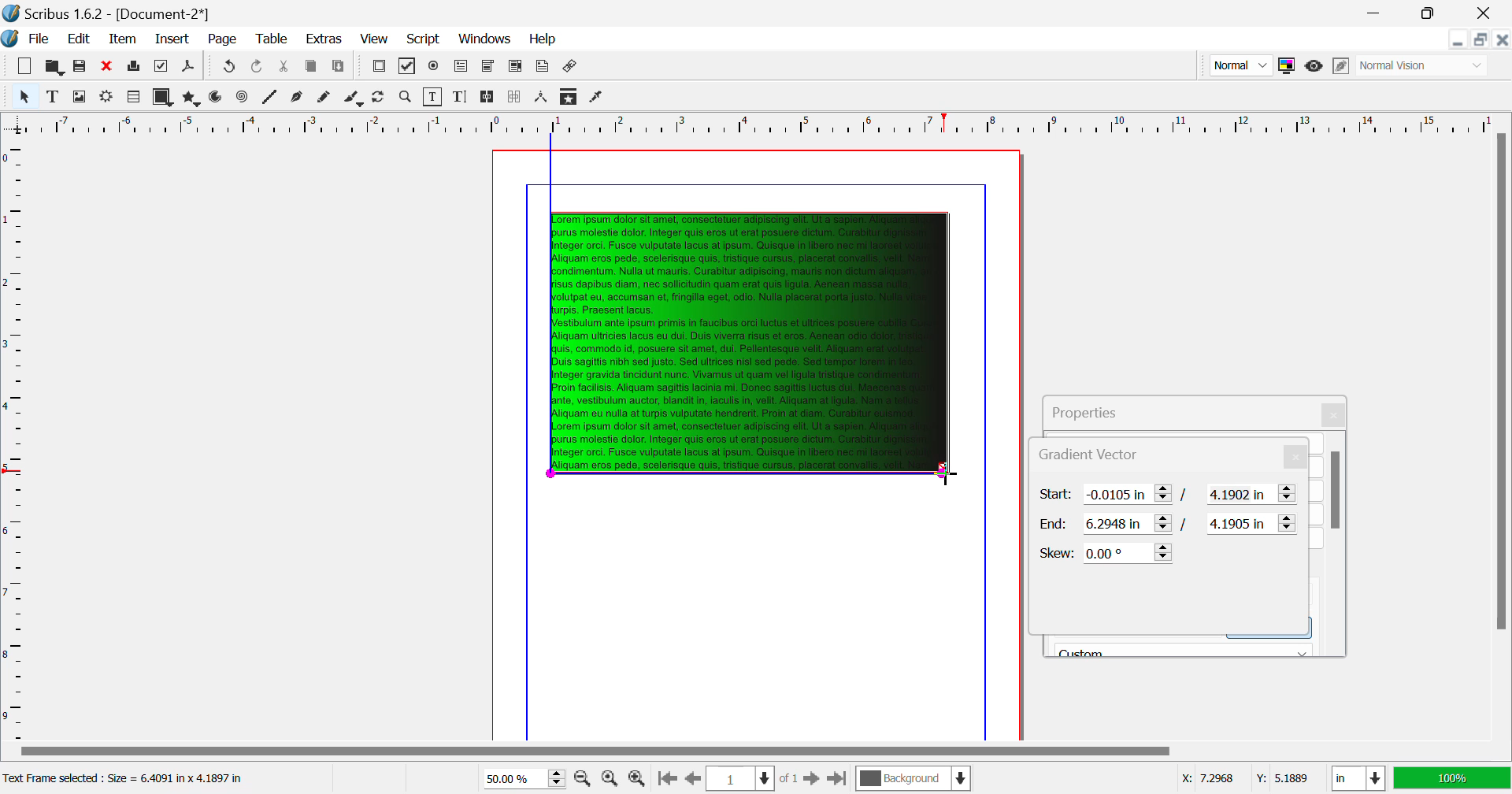 The width and height of the screenshot is (1512, 794). I want to click on Zoom to 100%, so click(610, 778).